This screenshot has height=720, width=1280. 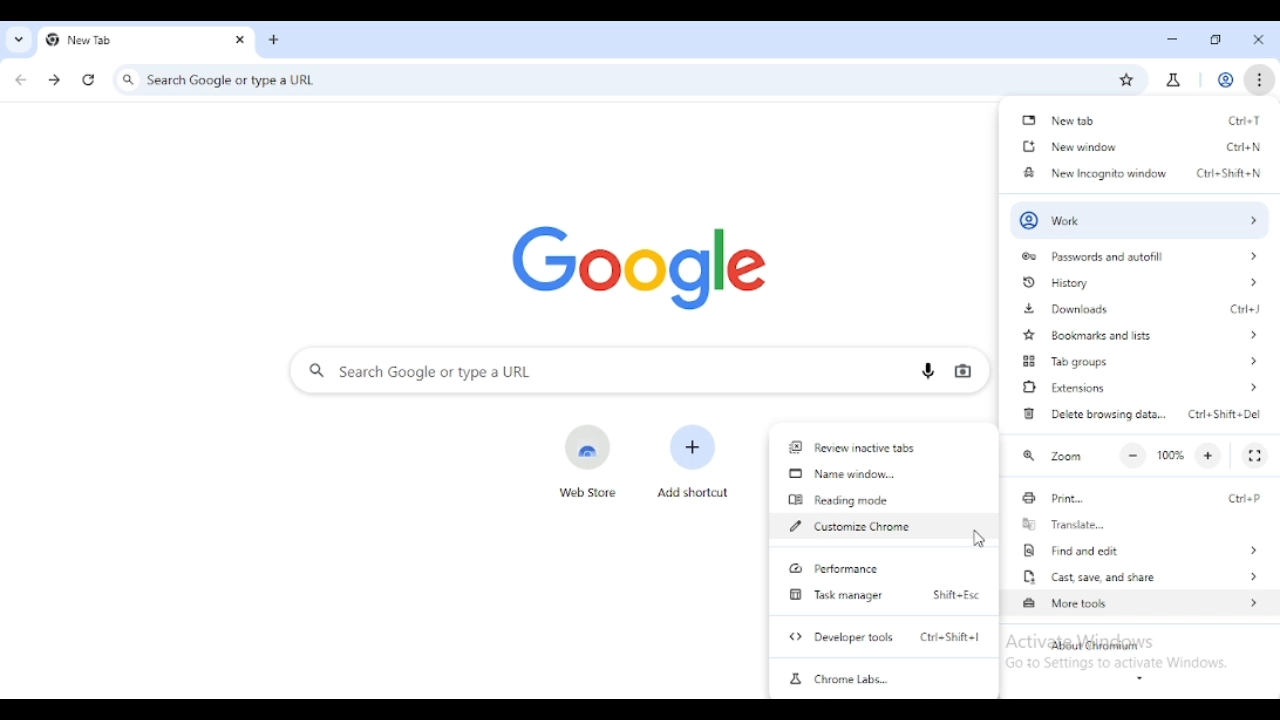 What do you see at coordinates (1141, 334) in the screenshot?
I see `bookmarks and lists` at bounding box center [1141, 334].